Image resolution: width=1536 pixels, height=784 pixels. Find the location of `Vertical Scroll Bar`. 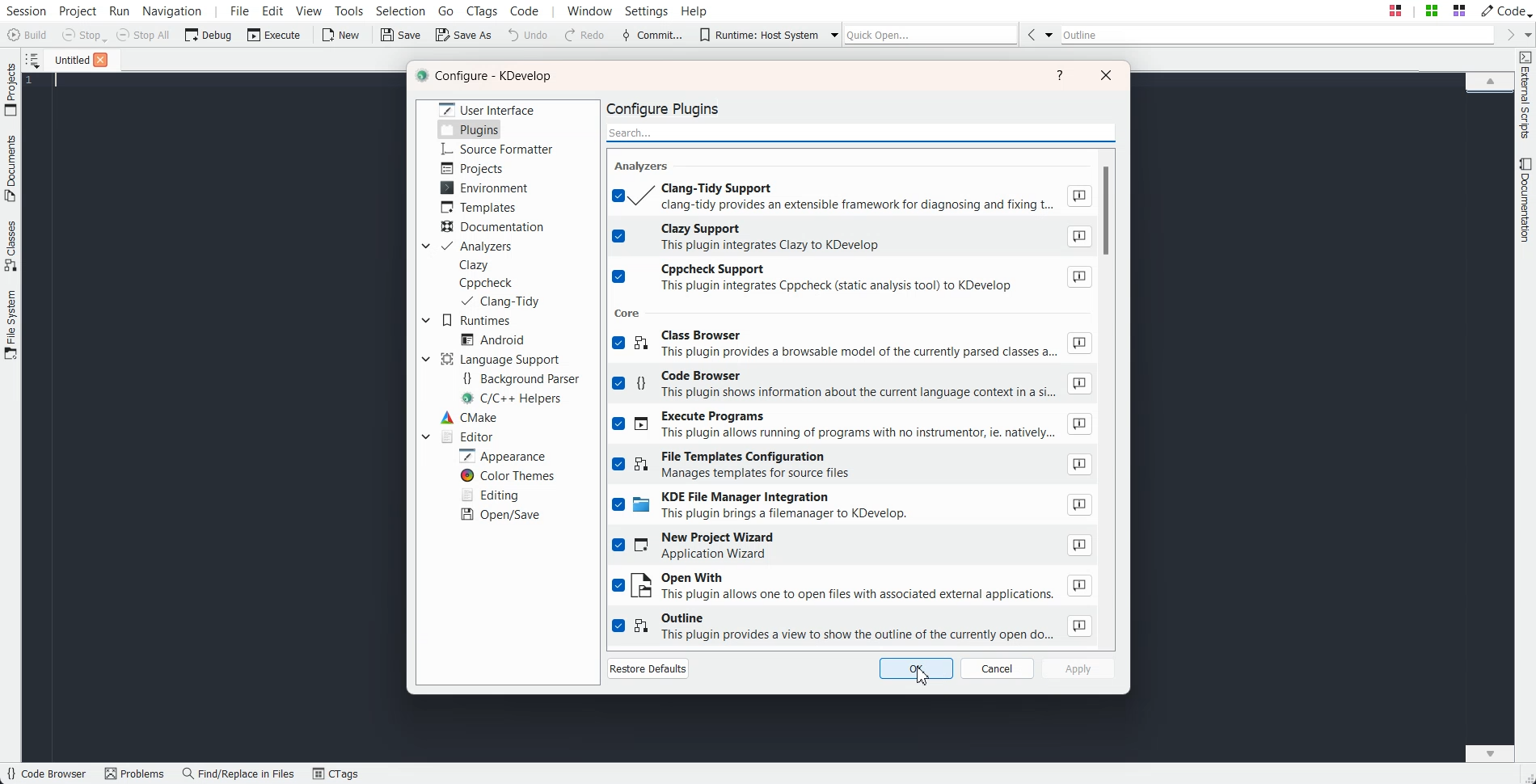

Vertical Scroll Bar is located at coordinates (1112, 395).